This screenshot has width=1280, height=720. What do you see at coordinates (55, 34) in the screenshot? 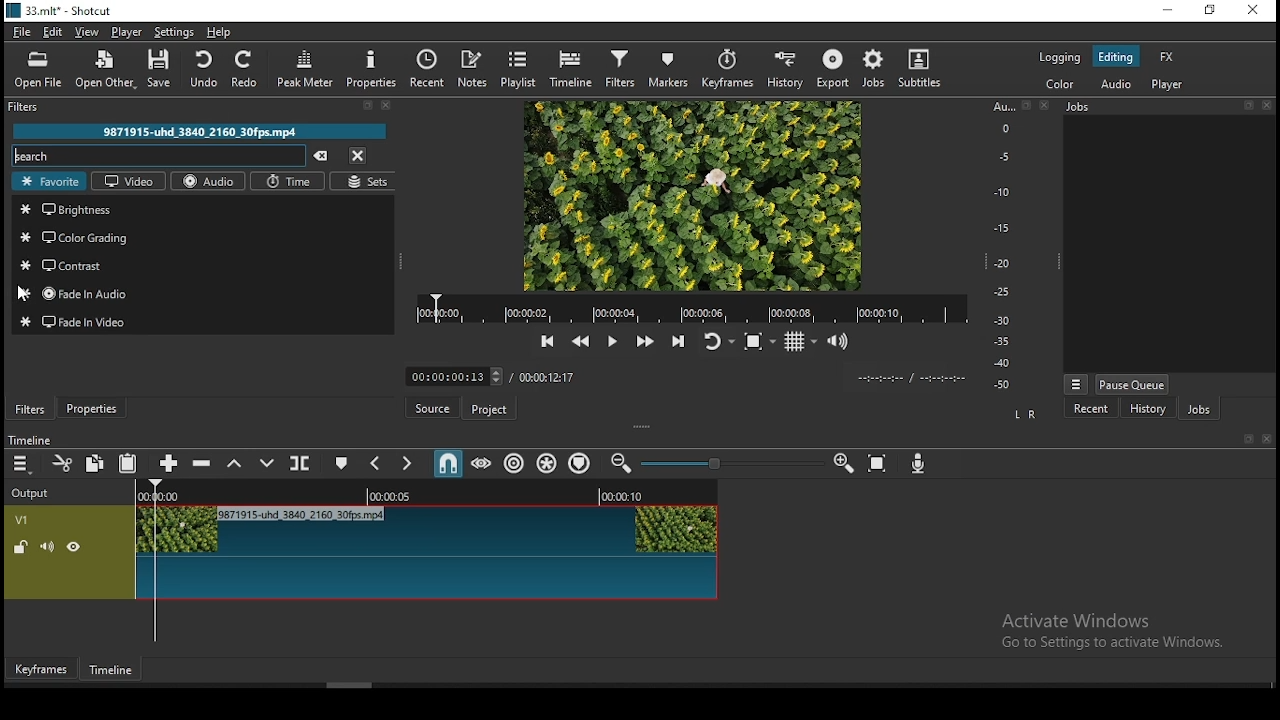
I see `edit` at bounding box center [55, 34].